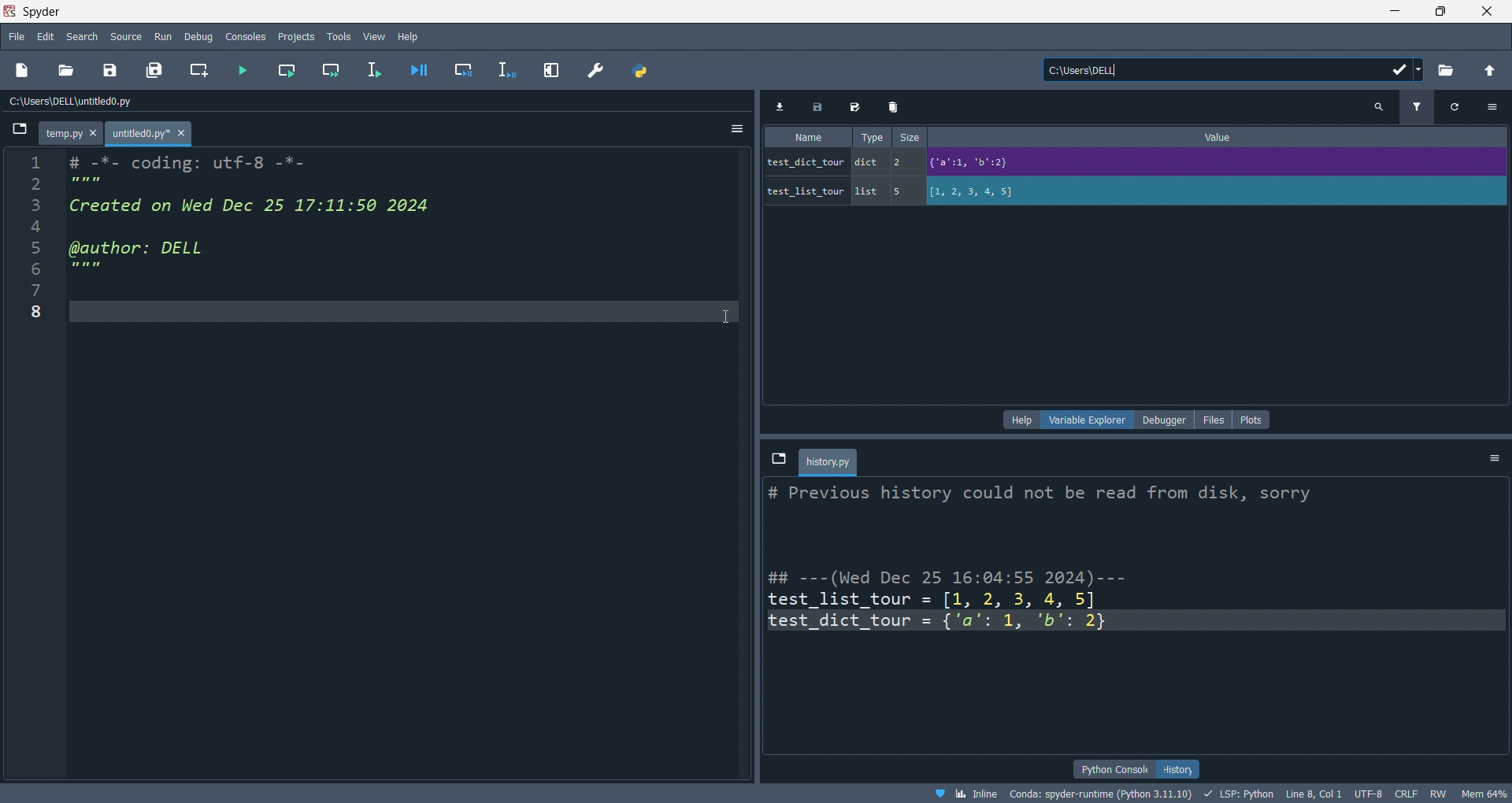 The height and width of the screenshot is (803, 1512). I want to click on 5, so click(903, 191).